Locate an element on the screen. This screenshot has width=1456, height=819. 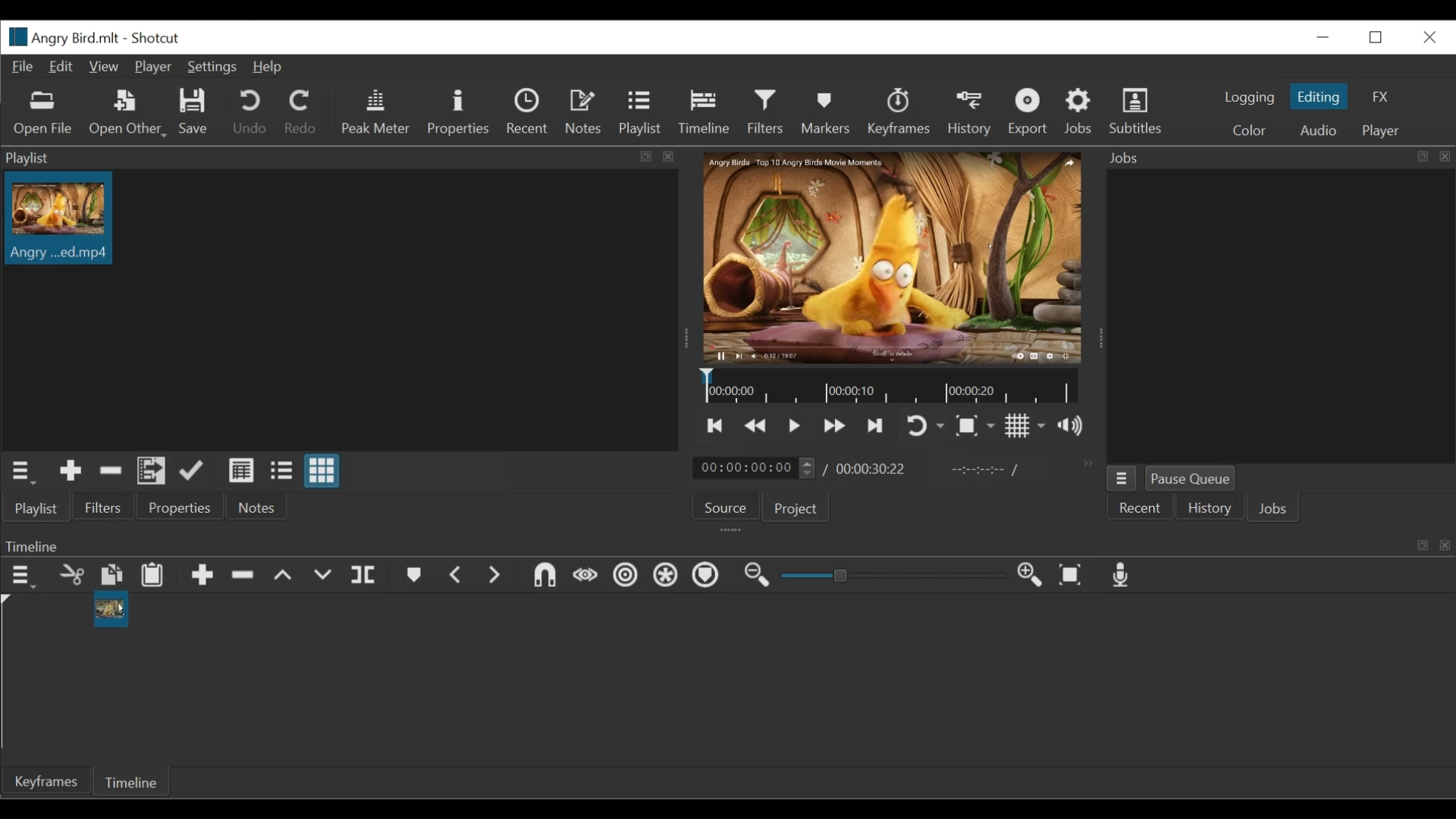
Append is located at coordinates (201, 577).